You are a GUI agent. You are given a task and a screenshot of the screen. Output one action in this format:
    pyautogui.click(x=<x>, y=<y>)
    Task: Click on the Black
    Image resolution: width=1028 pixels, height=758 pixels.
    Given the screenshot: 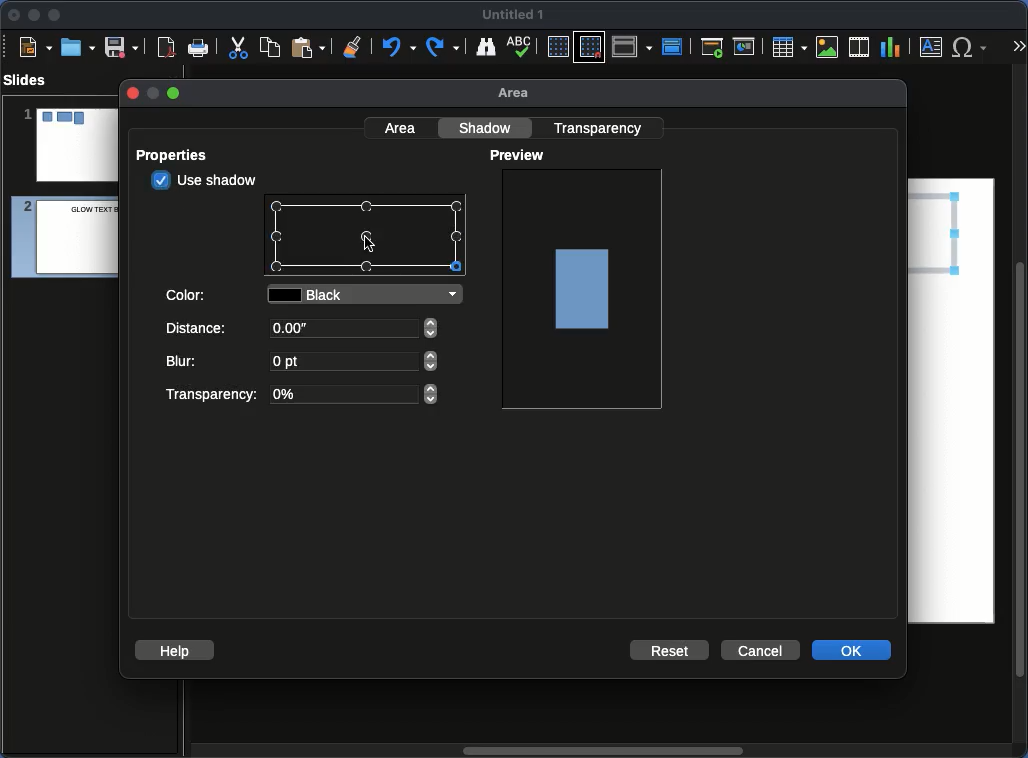 What is the action you would take?
    pyautogui.click(x=369, y=296)
    